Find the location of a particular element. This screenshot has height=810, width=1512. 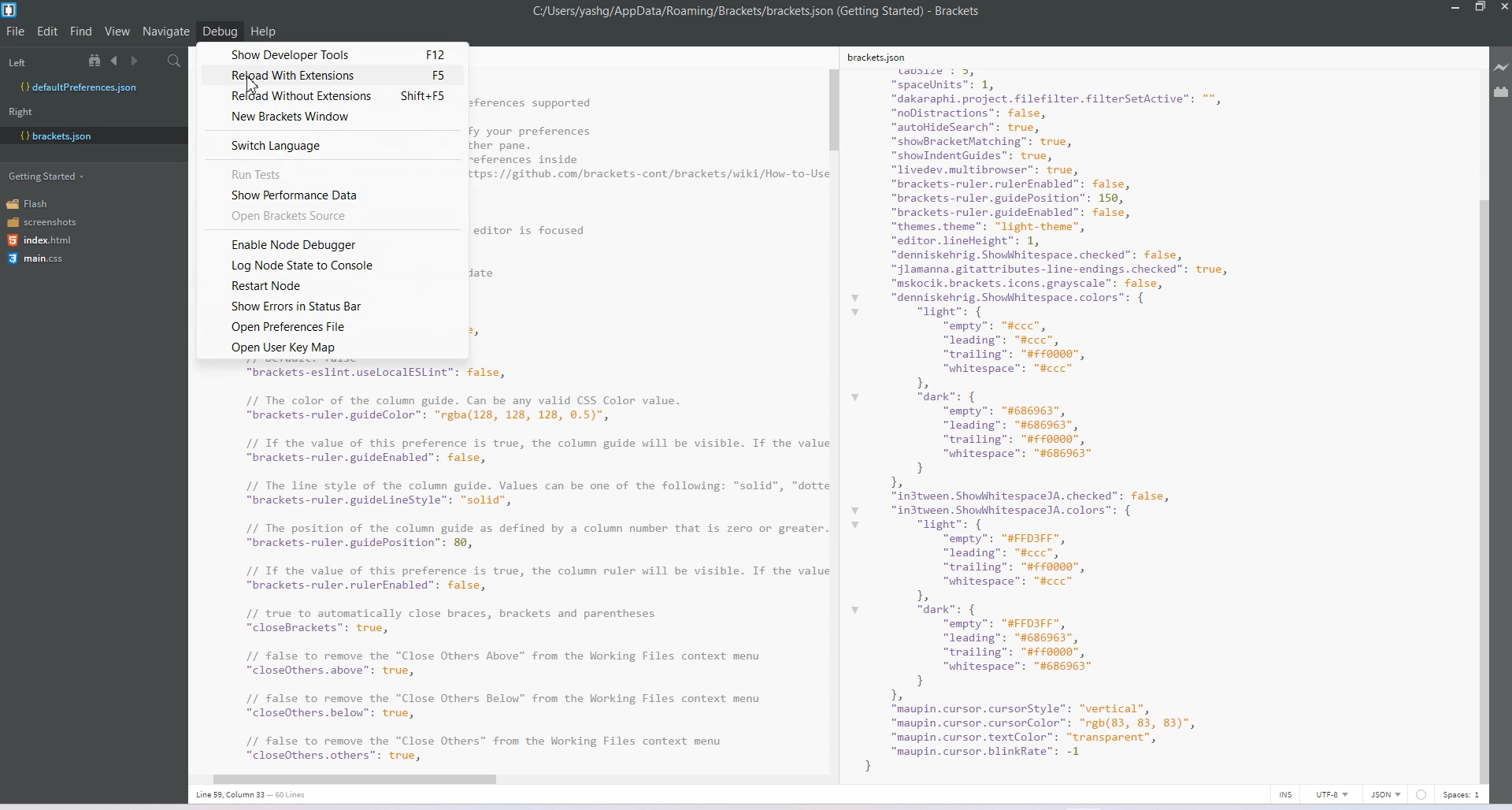

screenshots is located at coordinates (43, 223).